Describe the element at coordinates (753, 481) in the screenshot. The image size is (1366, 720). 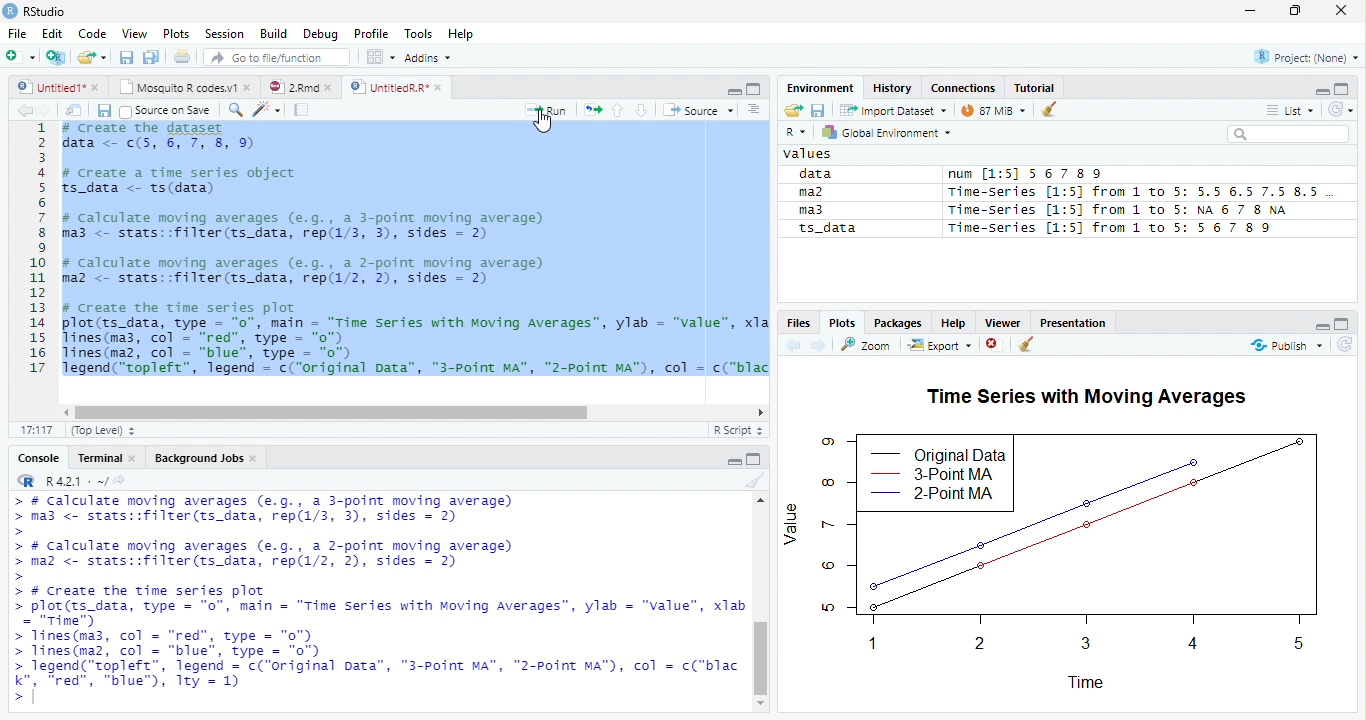
I see `clear` at that location.